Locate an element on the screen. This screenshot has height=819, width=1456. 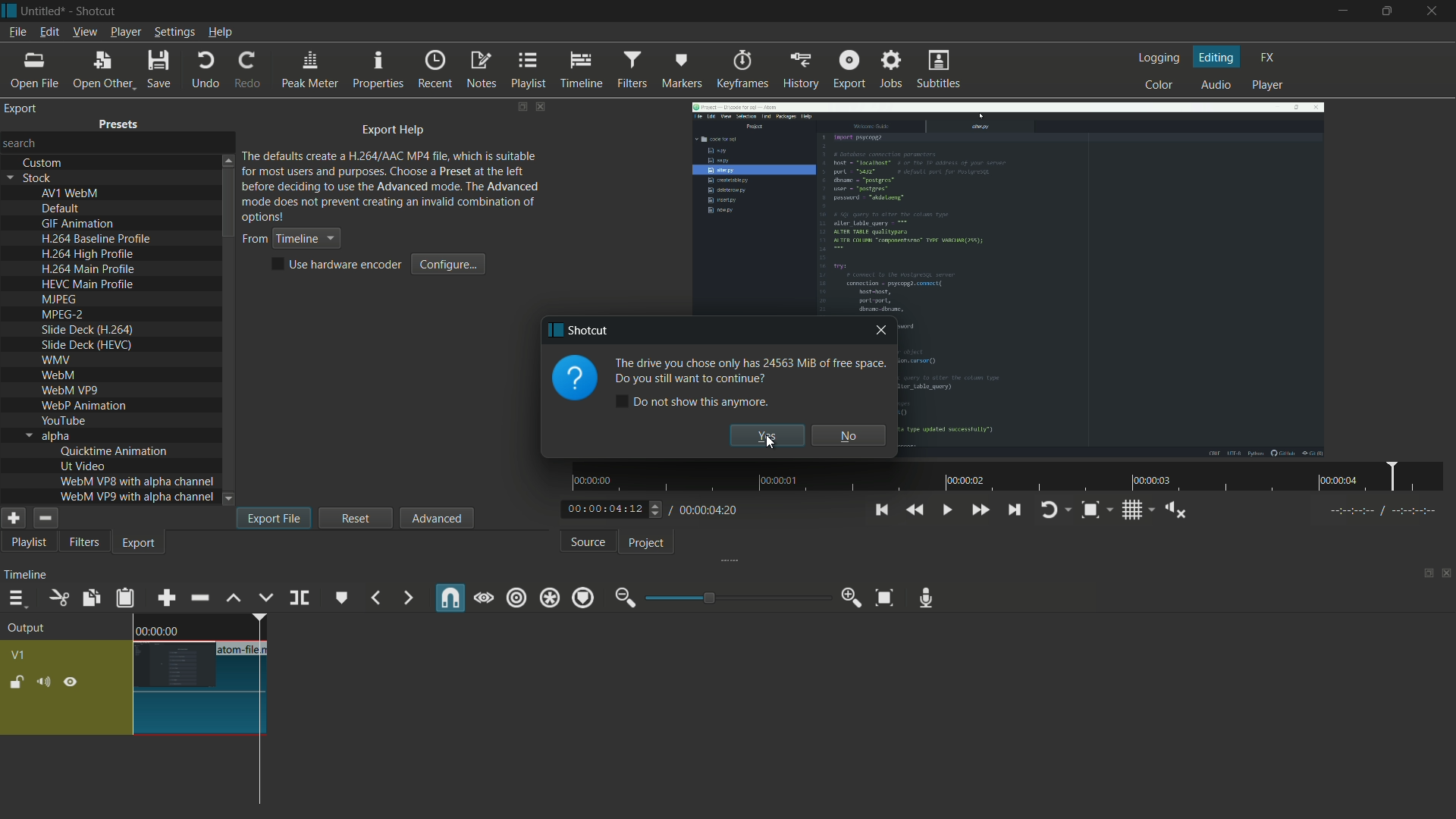
no is located at coordinates (849, 435).